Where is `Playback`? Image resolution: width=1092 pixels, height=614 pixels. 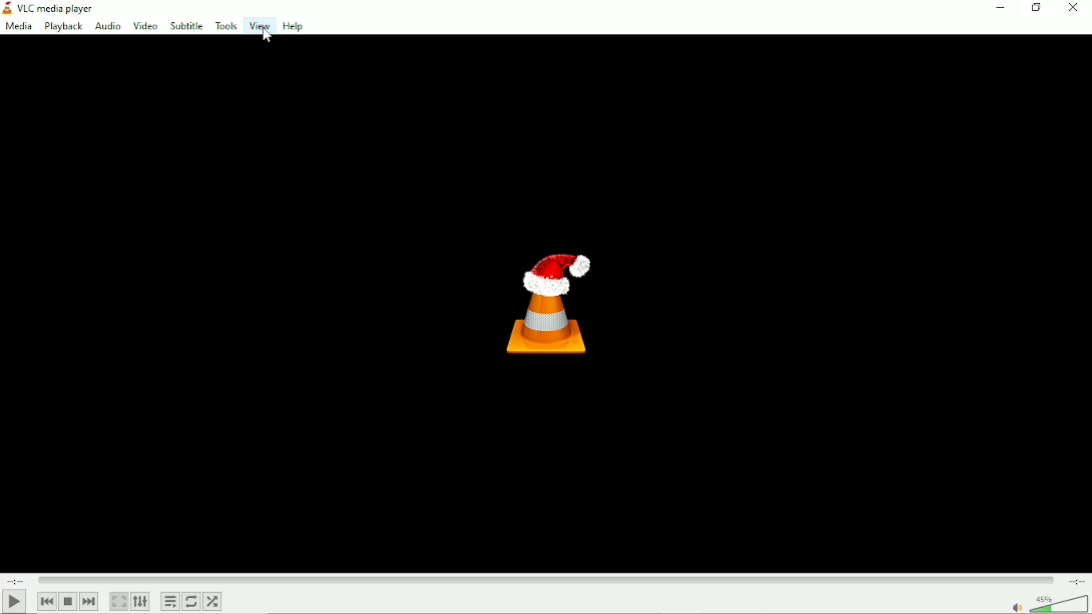 Playback is located at coordinates (62, 27).